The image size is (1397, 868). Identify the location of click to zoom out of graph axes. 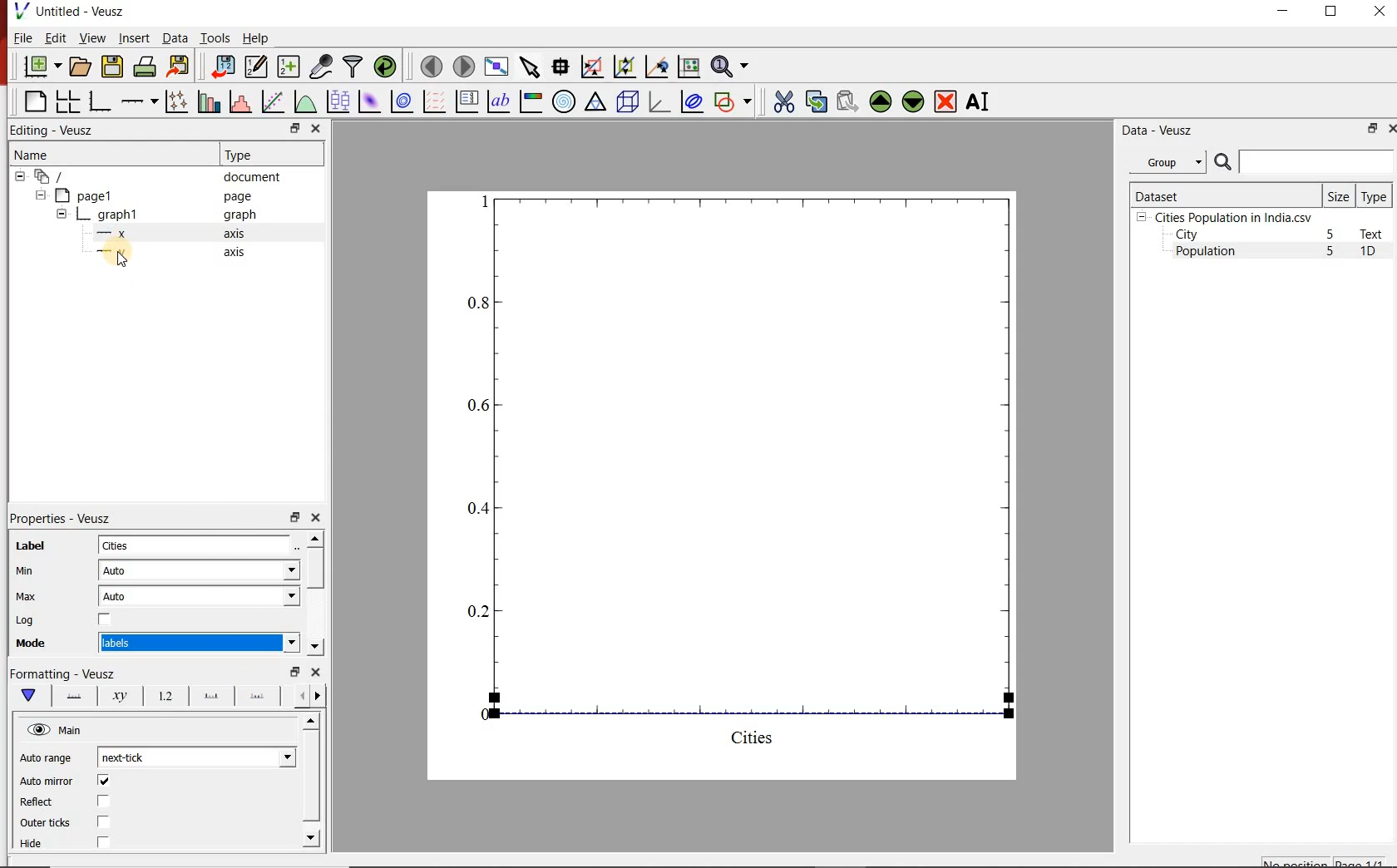
(622, 68).